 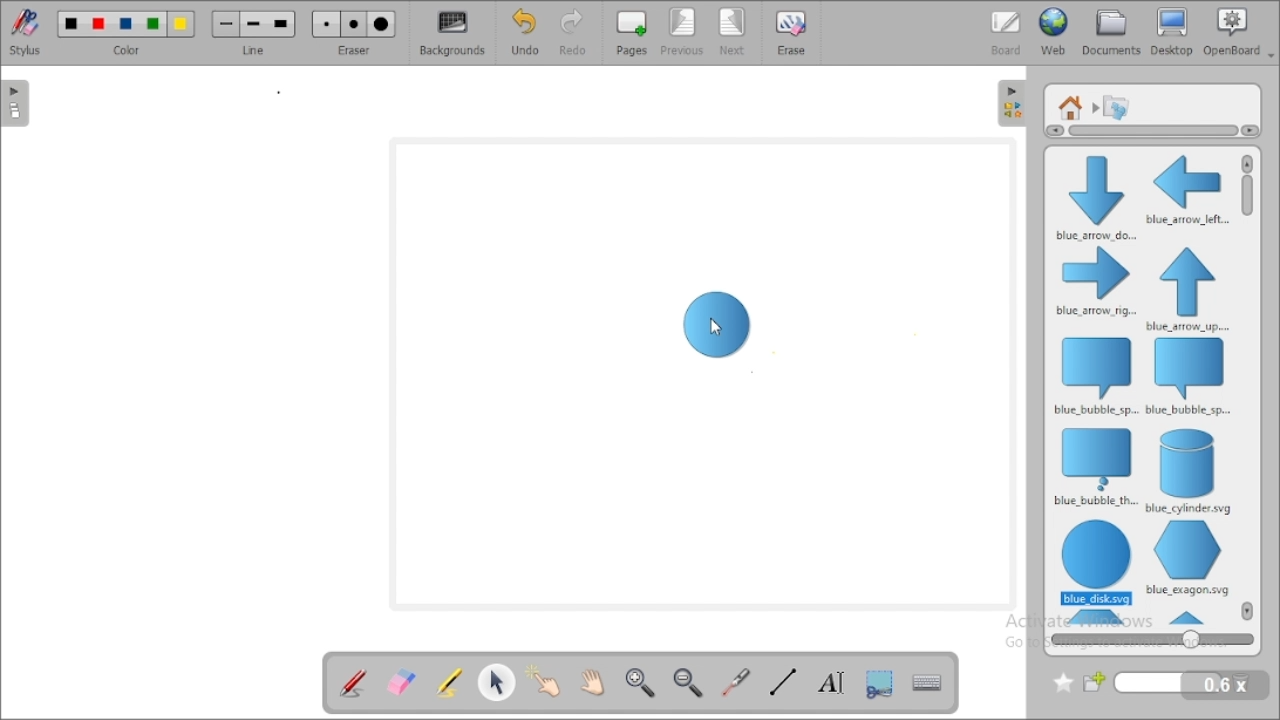 What do you see at coordinates (525, 32) in the screenshot?
I see `undo` at bounding box center [525, 32].